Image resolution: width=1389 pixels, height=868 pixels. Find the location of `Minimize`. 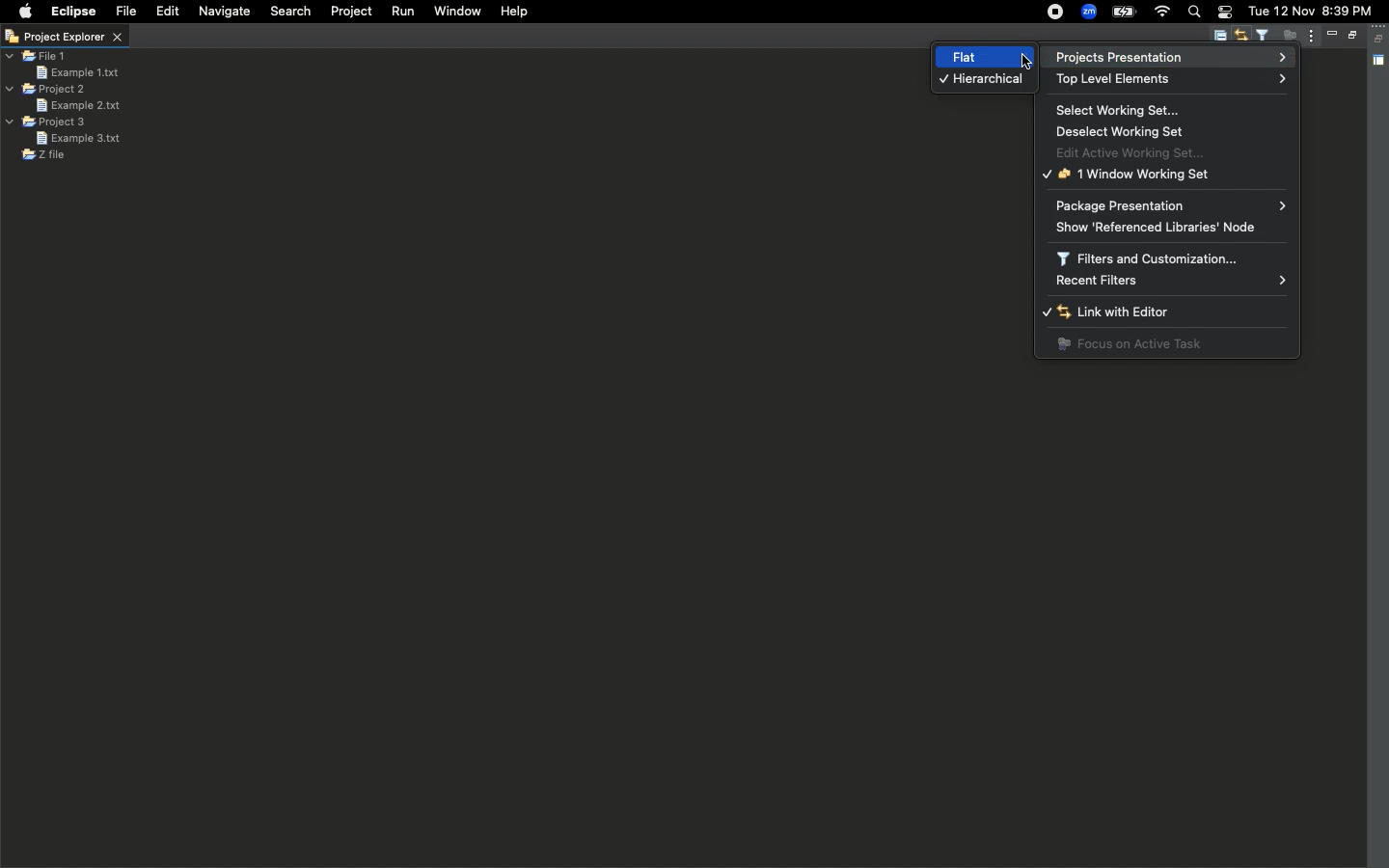

Minimize is located at coordinates (1331, 34).